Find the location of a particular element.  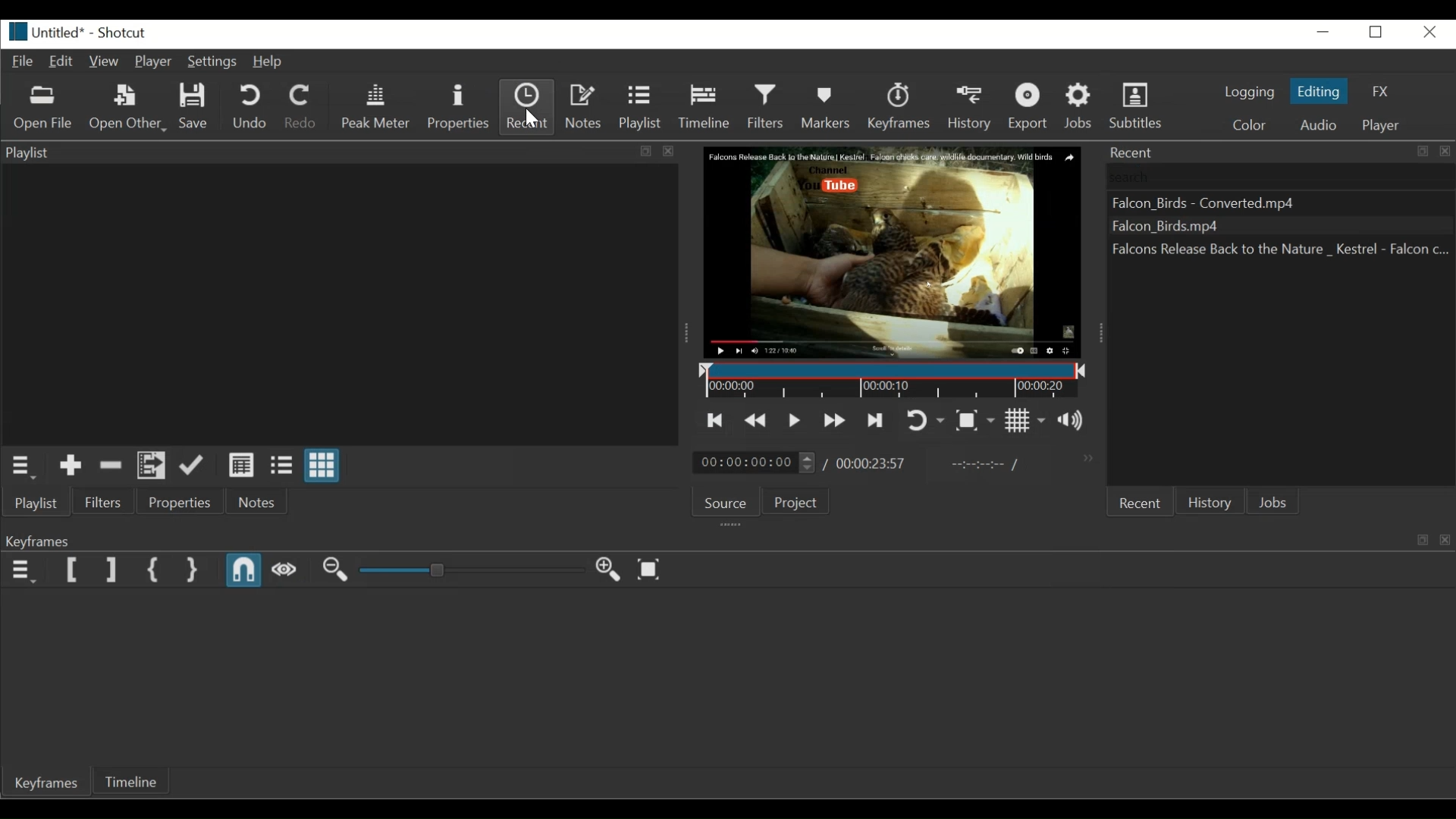

Add the Source to the playlist is located at coordinates (71, 465).